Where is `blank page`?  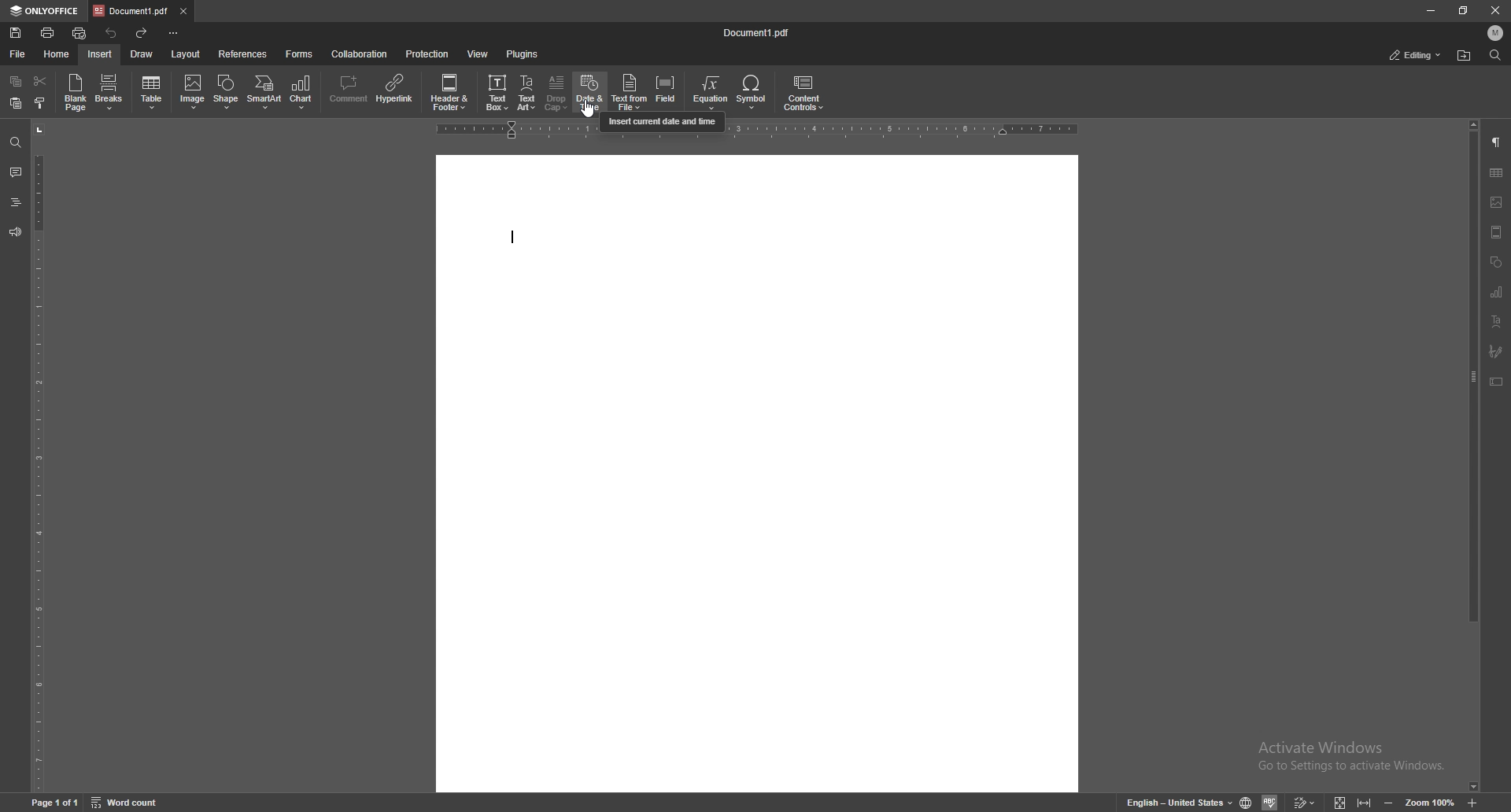
blank page is located at coordinates (76, 93).